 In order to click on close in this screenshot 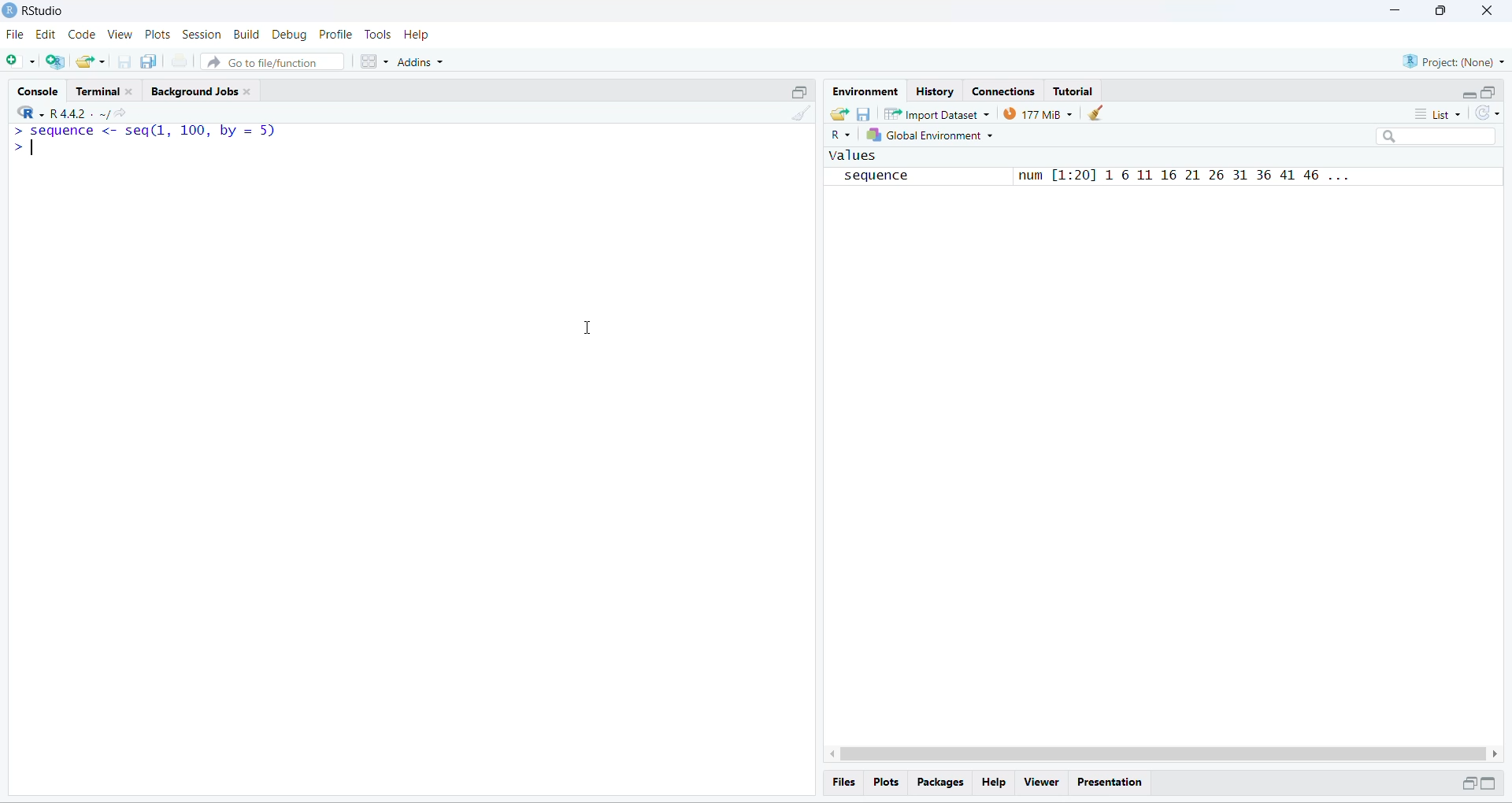, I will do `click(131, 92)`.